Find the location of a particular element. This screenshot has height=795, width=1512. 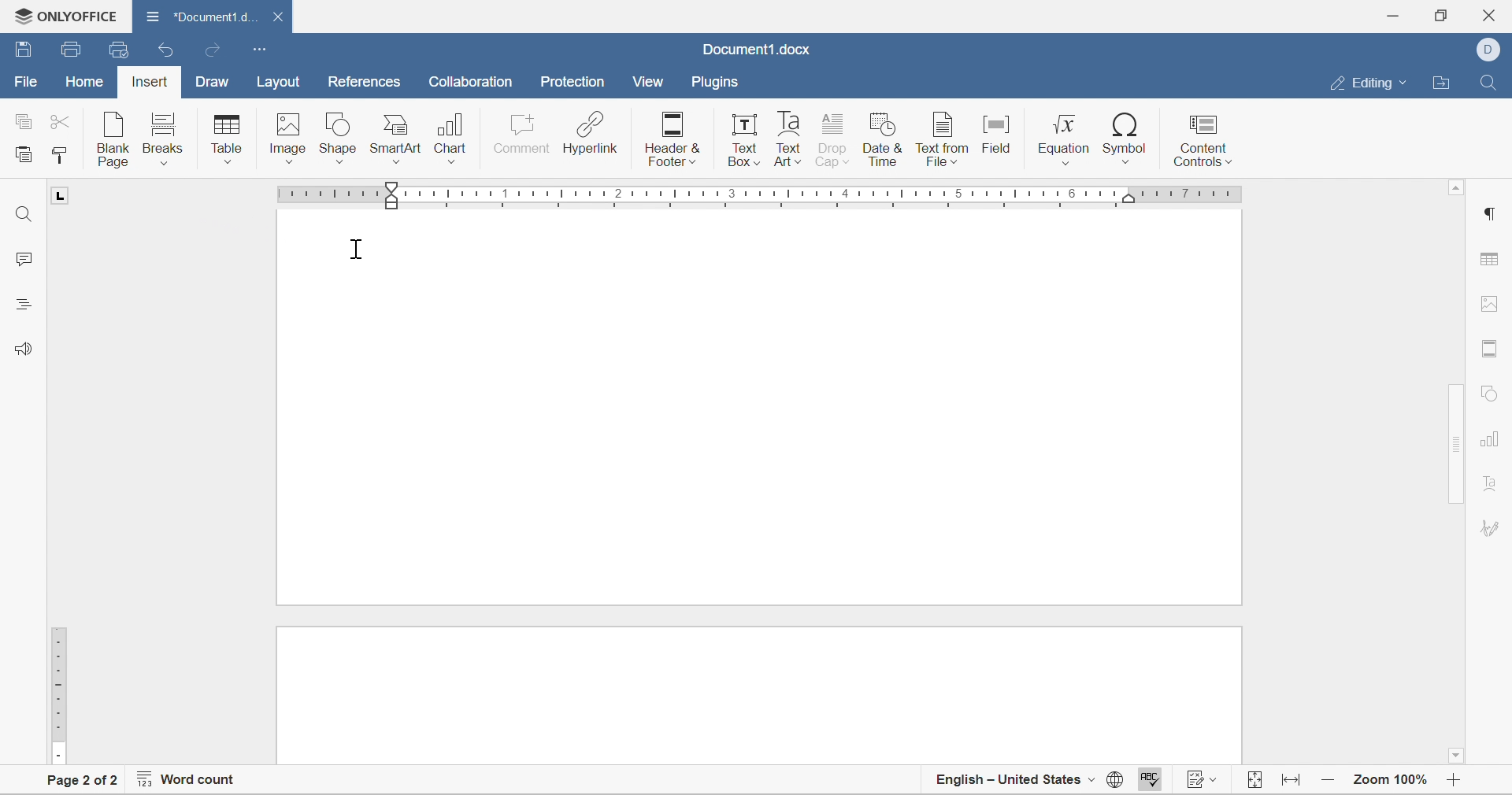

Editing is located at coordinates (1369, 83).